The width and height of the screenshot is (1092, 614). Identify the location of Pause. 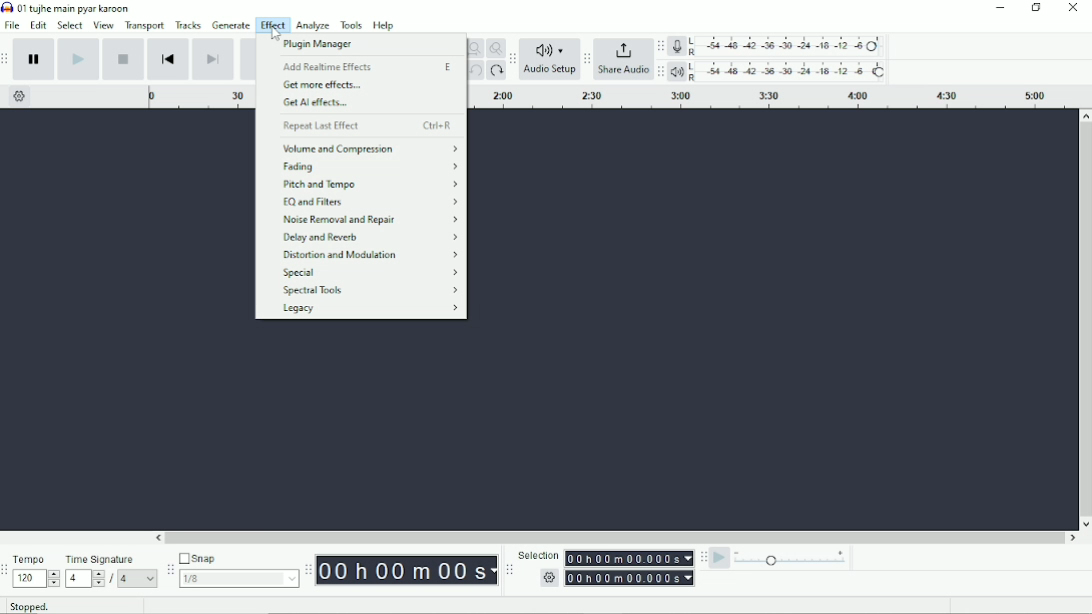
(34, 59).